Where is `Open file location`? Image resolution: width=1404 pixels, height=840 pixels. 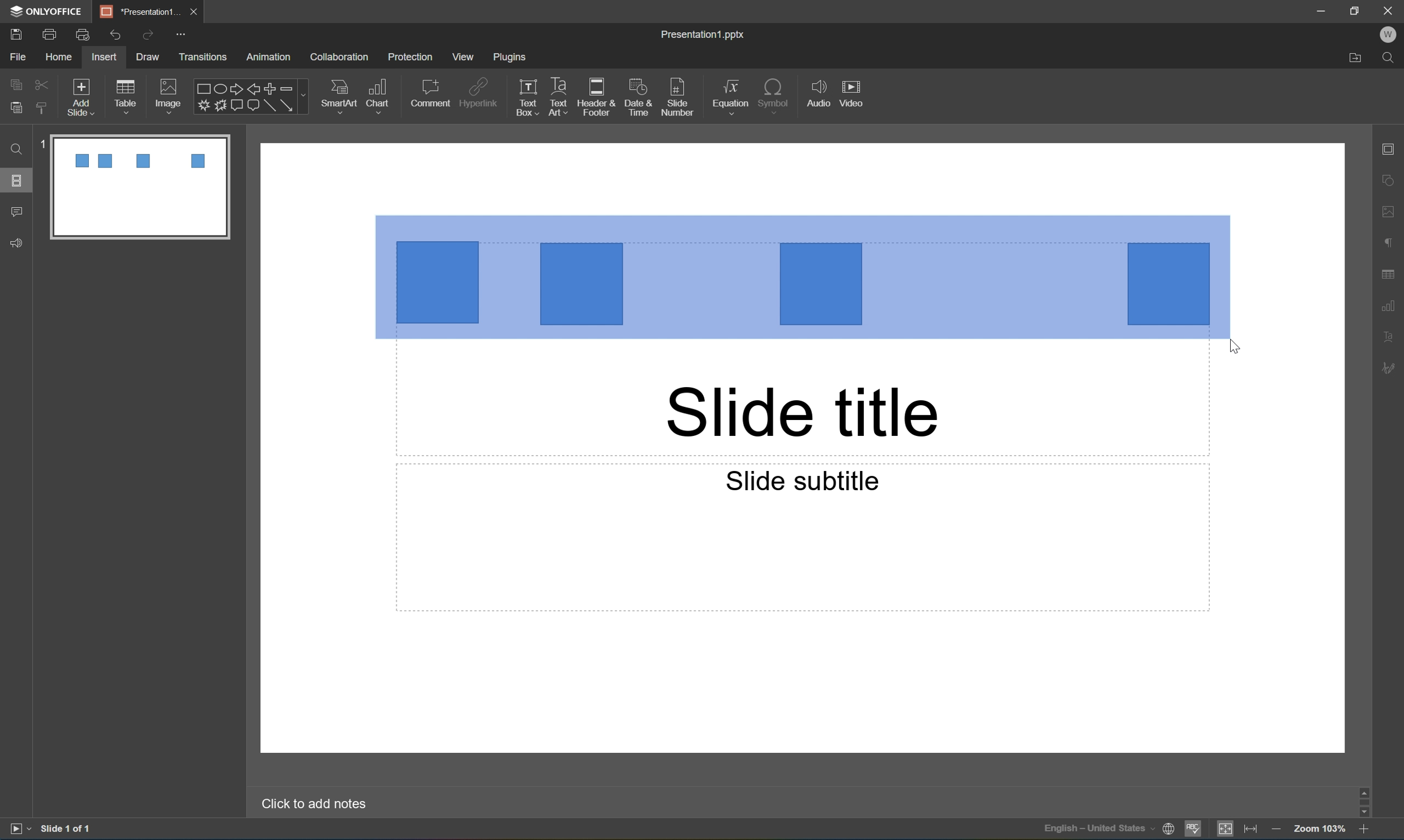
Open file location is located at coordinates (1353, 59).